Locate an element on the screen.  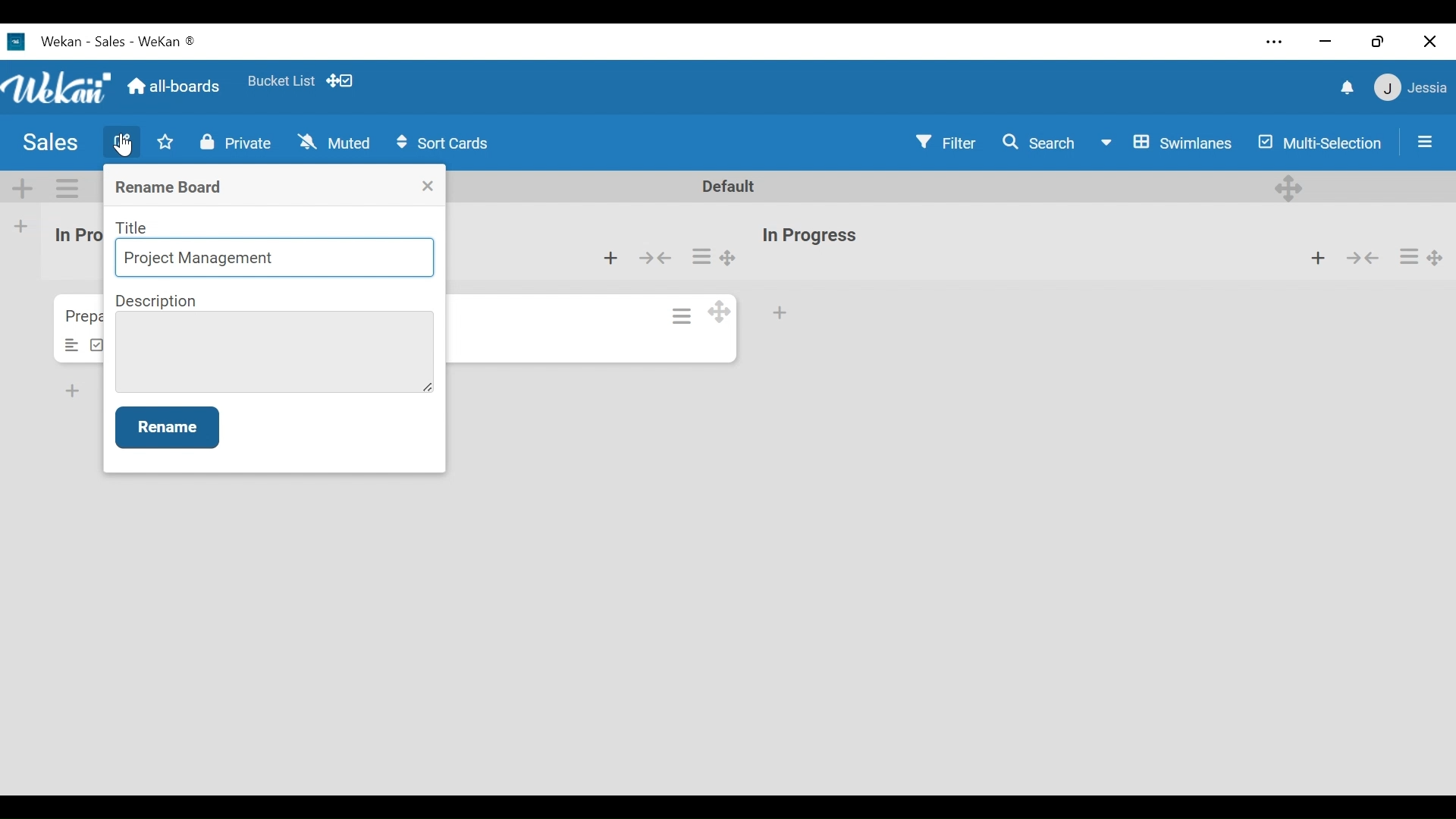
Member is located at coordinates (1412, 87).